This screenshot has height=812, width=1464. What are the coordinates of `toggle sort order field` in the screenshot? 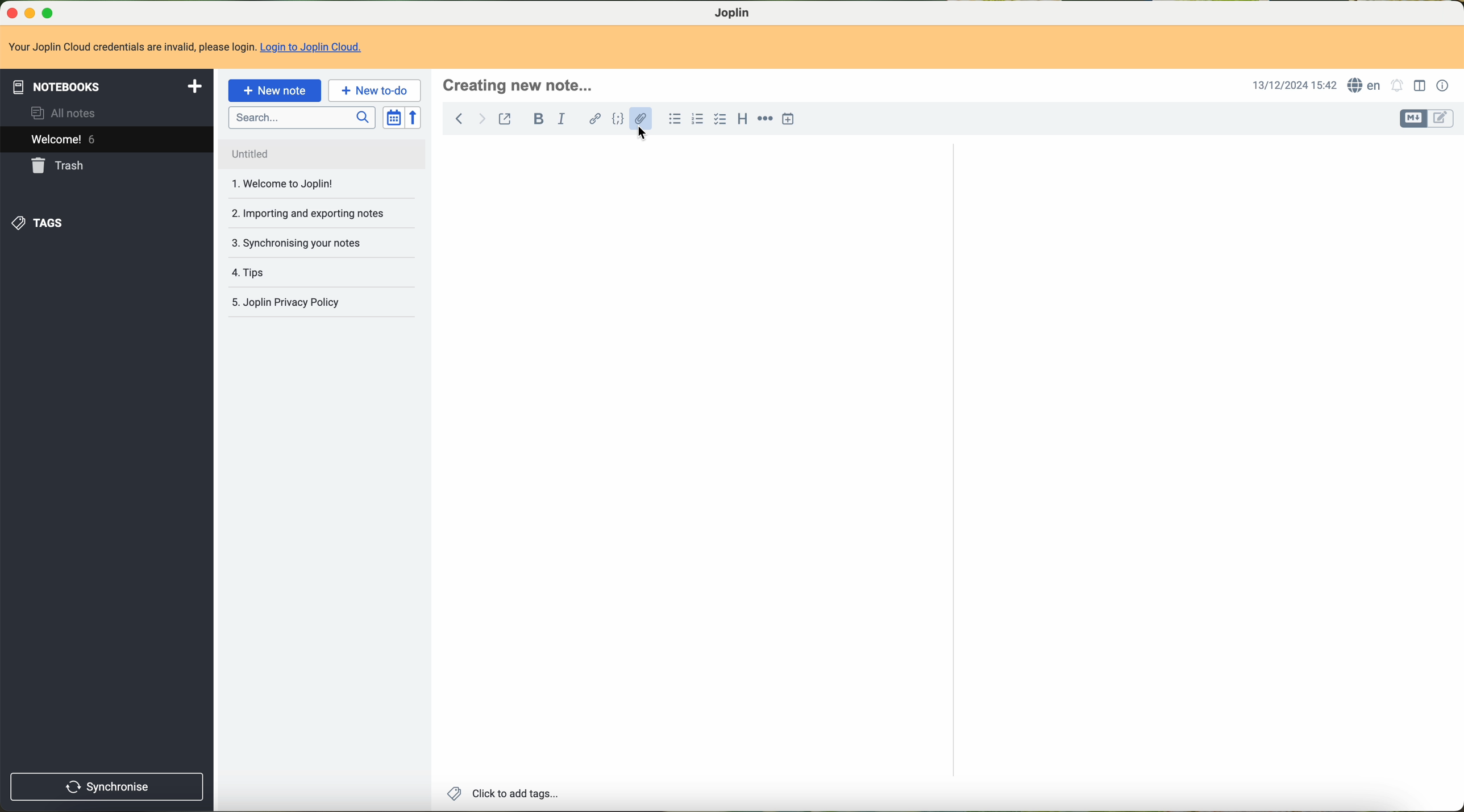 It's located at (392, 118).